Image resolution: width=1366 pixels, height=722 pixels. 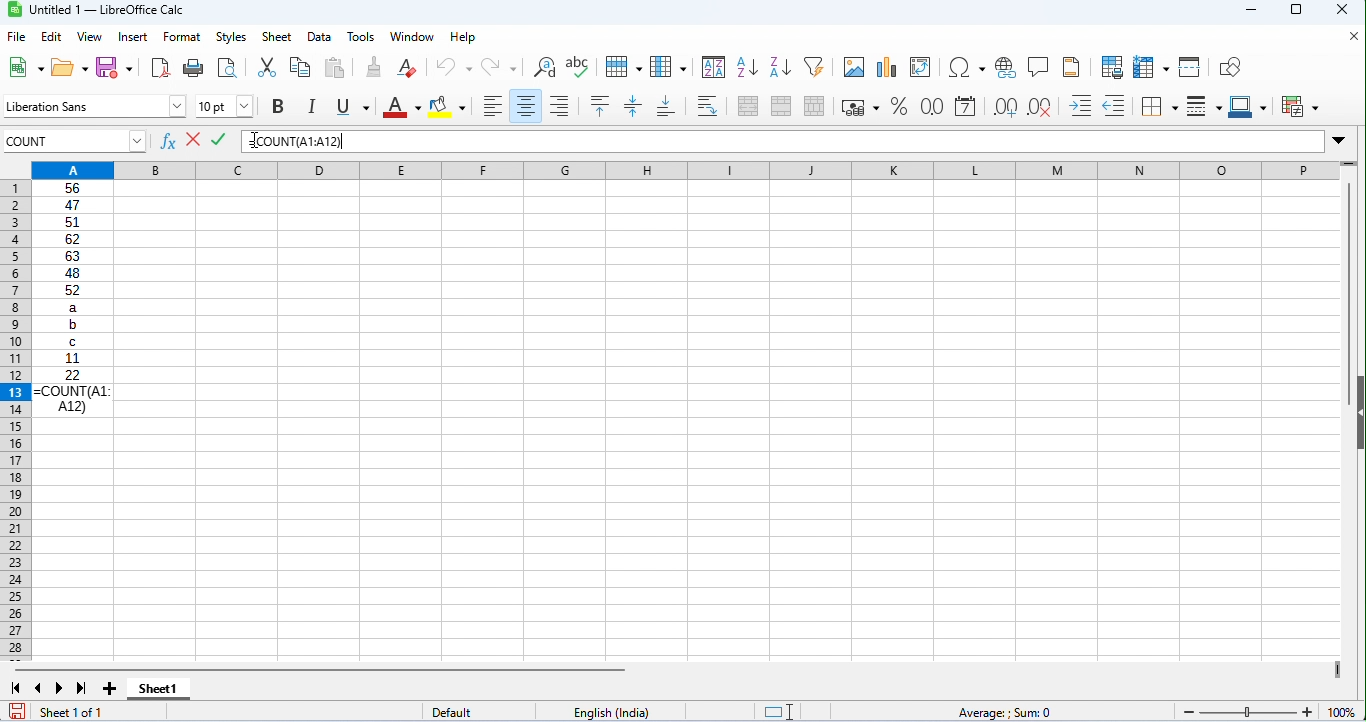 I want to click on font color, so click(x=402, y=107).